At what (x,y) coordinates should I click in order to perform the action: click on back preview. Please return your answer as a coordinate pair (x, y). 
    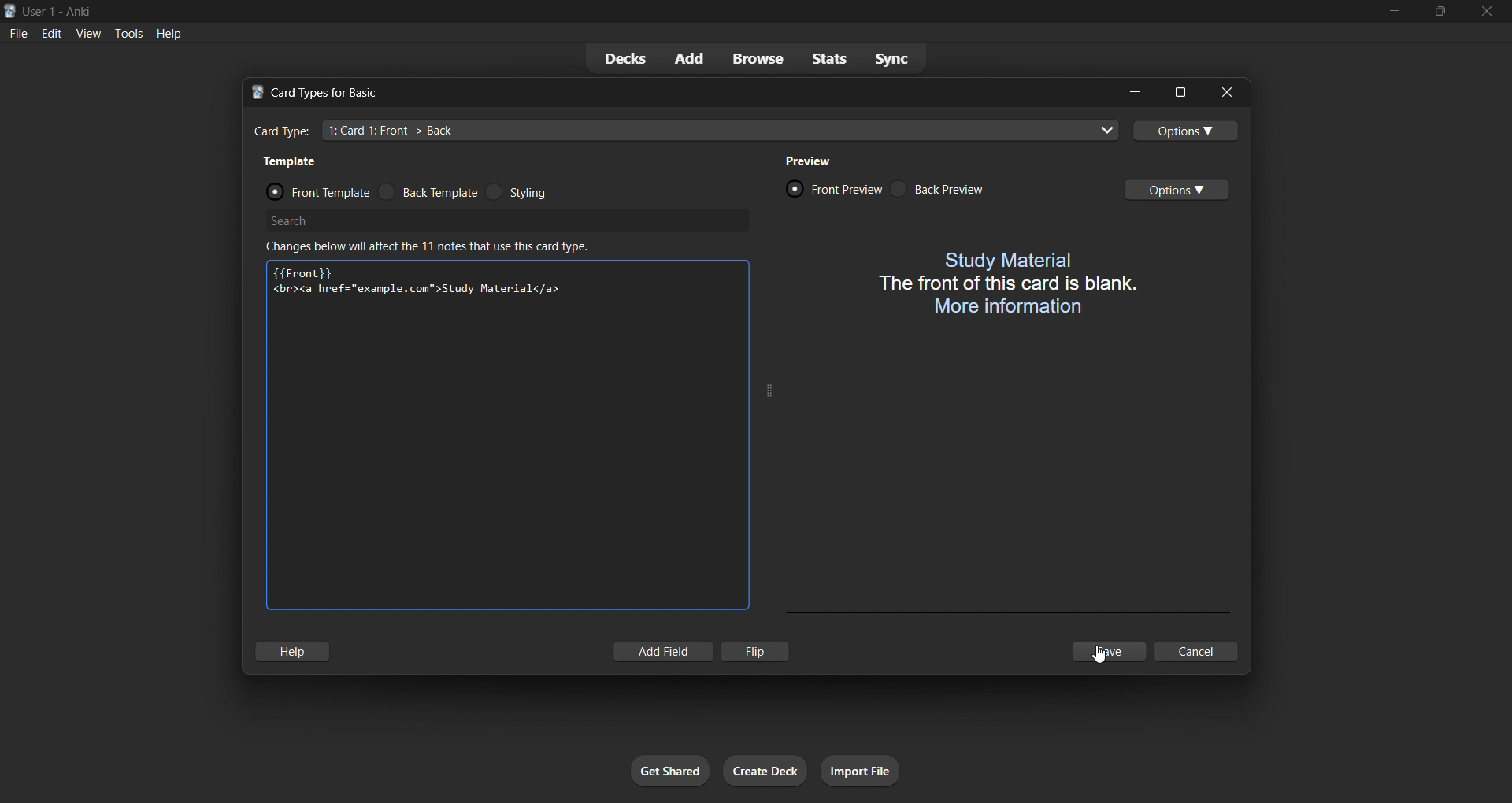
    Looking at the image, I should click on (949, 190).